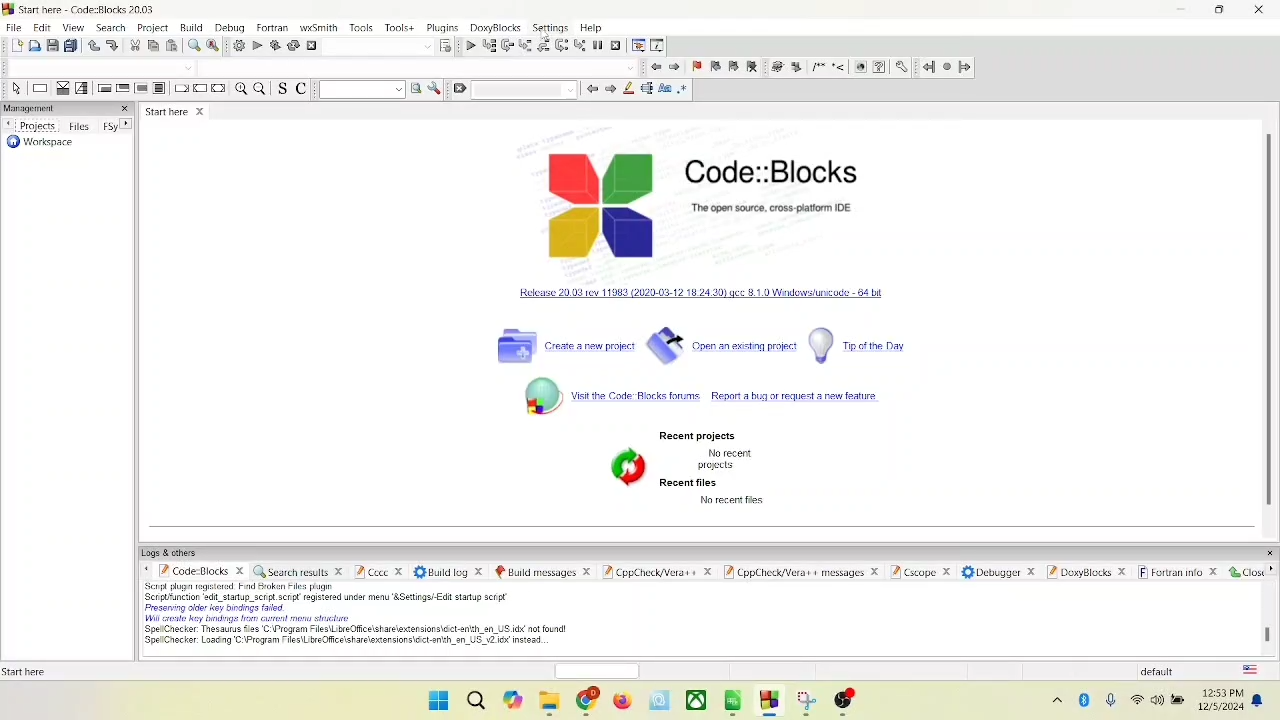 The height and width of the screenshot is (720, 1280). Describe the element at coordinates (1169, 670) in the screenshot. I see `default` at that location.